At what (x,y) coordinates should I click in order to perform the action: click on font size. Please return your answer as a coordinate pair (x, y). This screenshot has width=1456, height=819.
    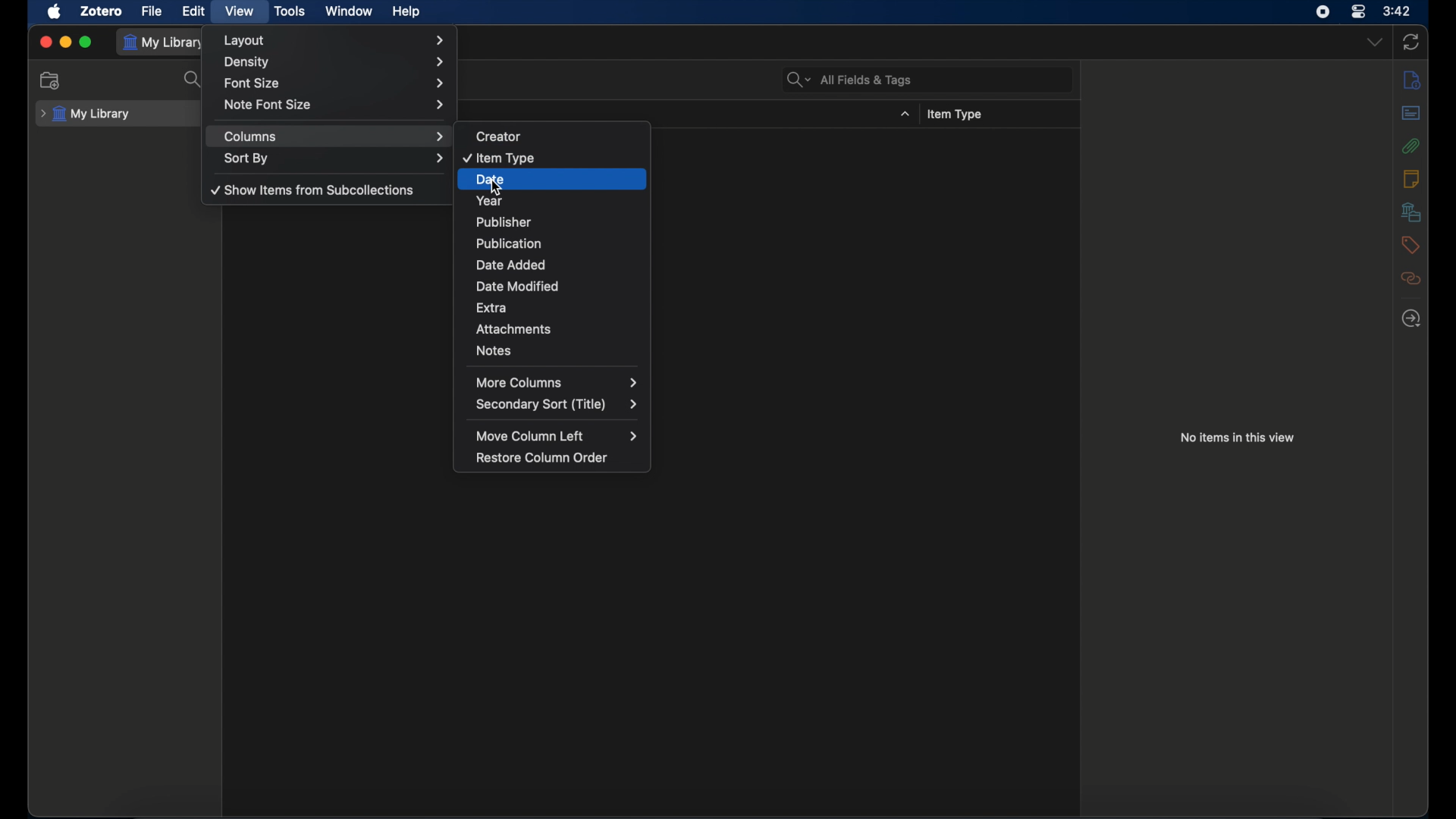
    Looking at the image, I should click on (335, 83).